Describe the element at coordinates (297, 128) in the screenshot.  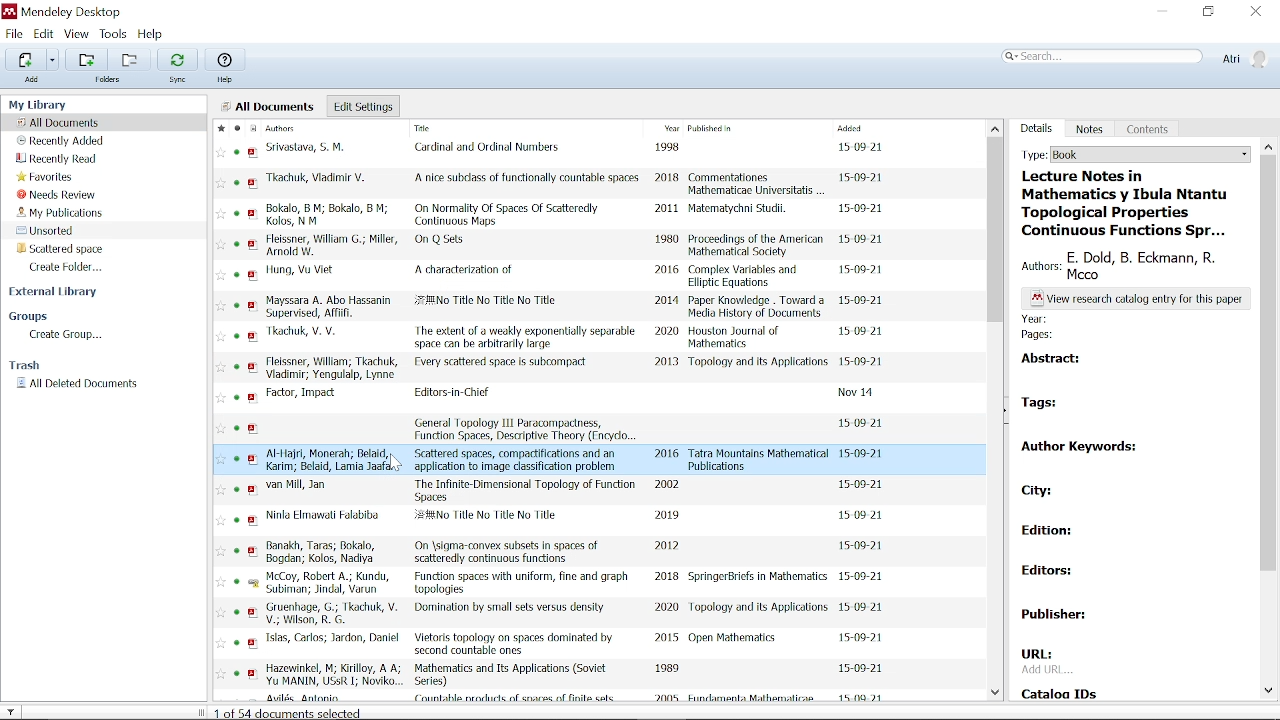
I see `Authors` at that location.